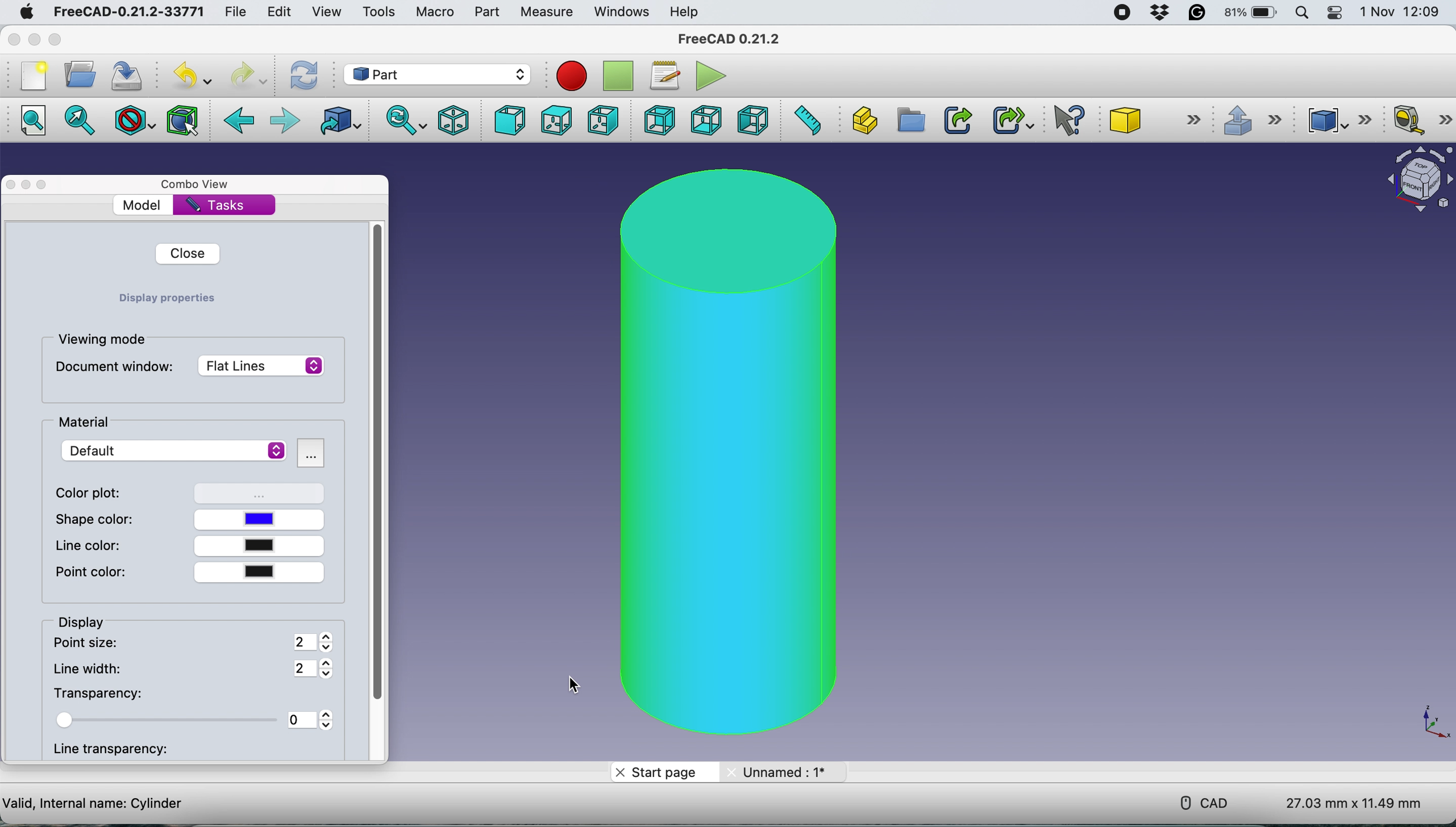 Image resolution: width=1456 pixels, height=827 pixels. I want to click on refresh, so click(304, 74).